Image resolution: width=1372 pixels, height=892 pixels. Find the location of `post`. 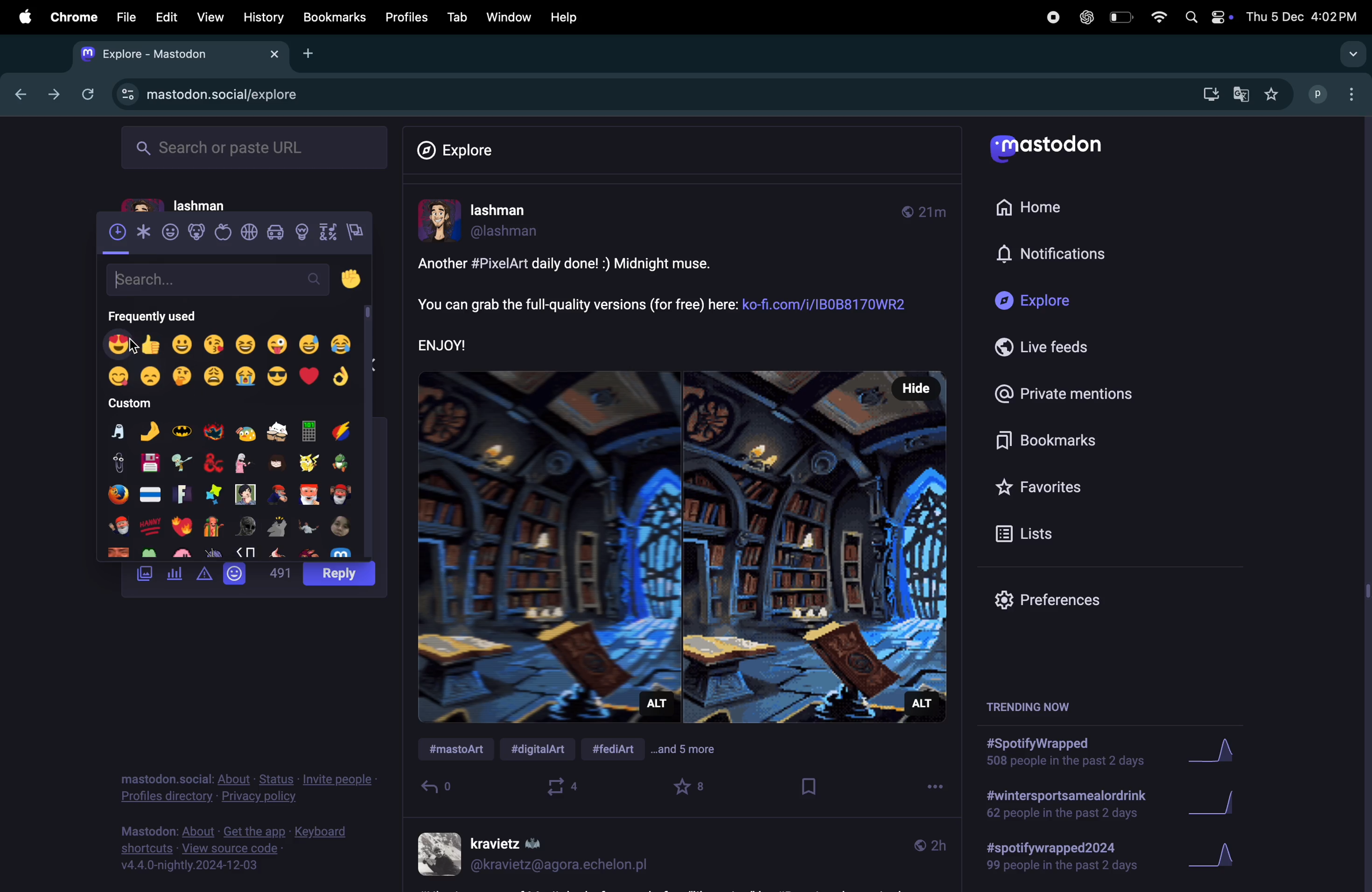

post is located at coordinates (340, 573).